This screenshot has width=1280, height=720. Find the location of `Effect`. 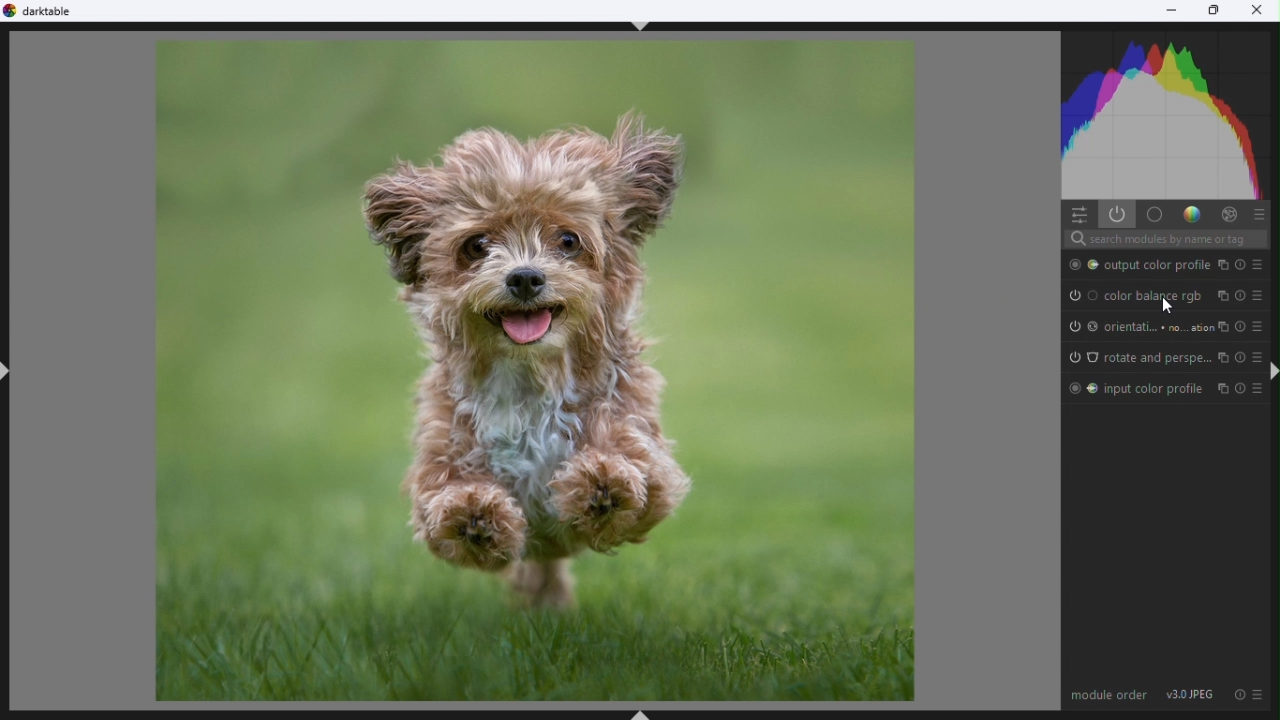

Effect is located at coordinates (1229, 215).